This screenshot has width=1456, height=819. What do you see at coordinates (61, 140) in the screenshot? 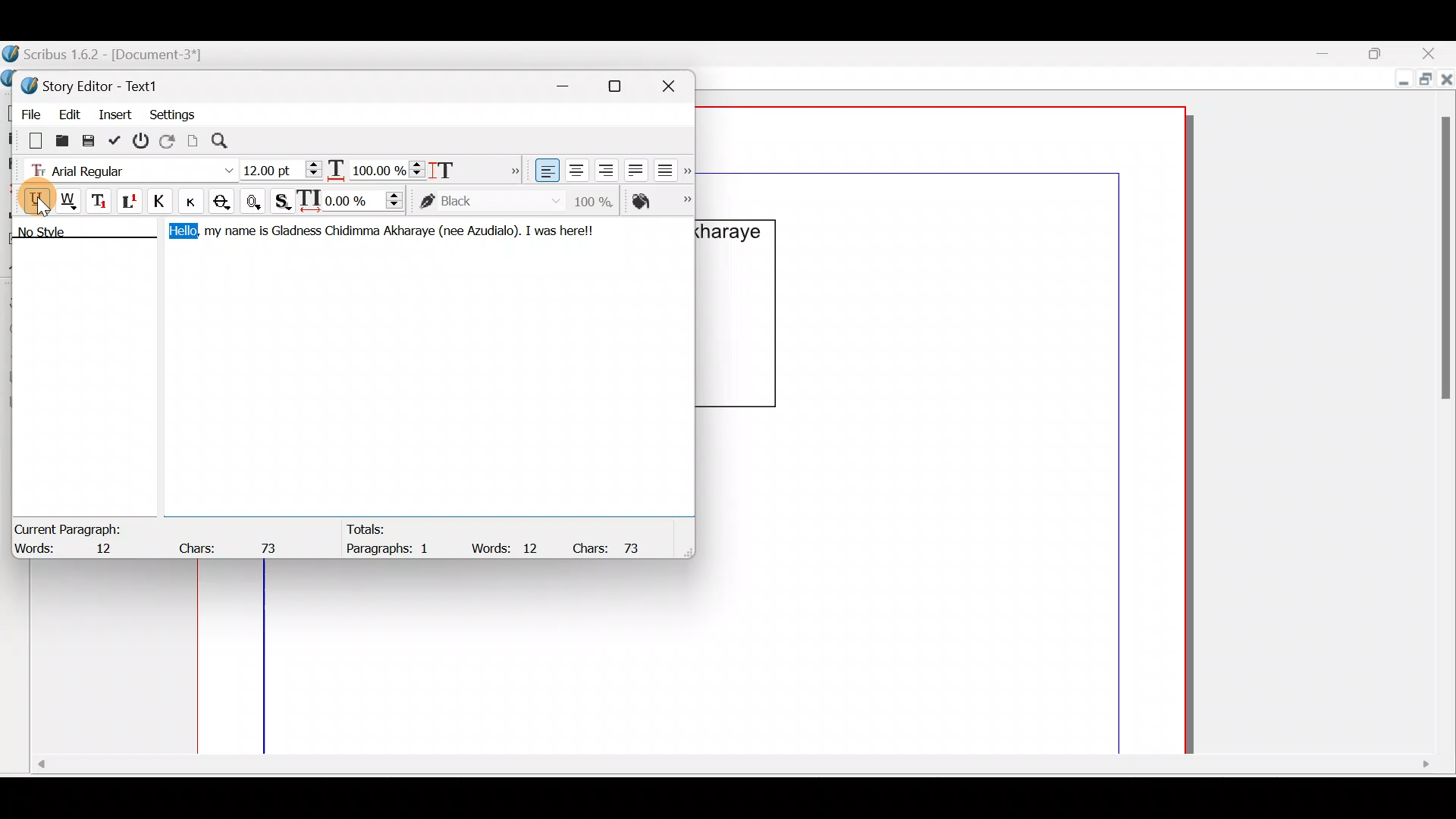
I see `Load from file` at bounding box center [61, 140].